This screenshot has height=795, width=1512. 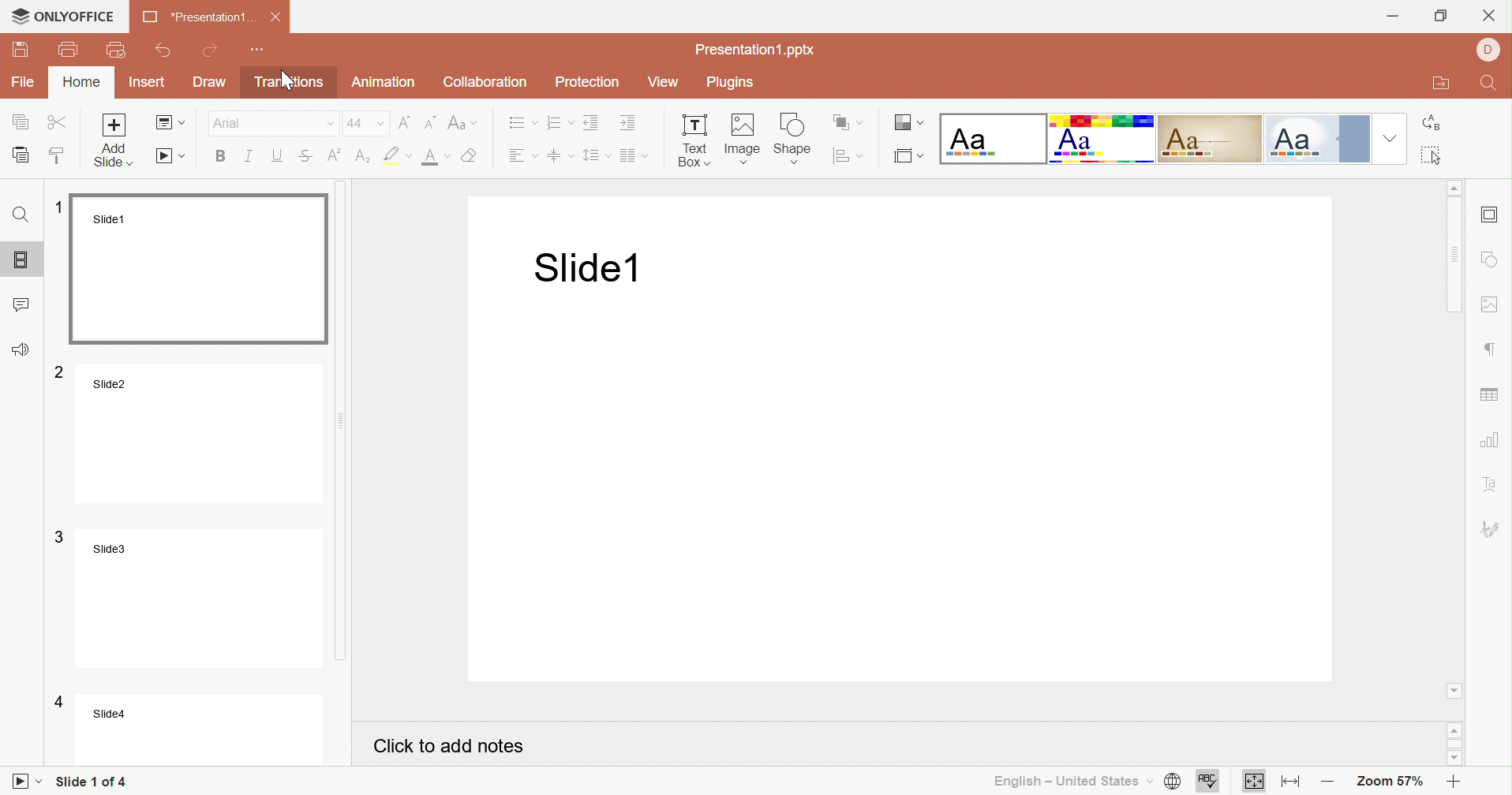 What do you see at coordinates (23, 83) in the screenshot?
I see `File` at bounding box center [23, 83].